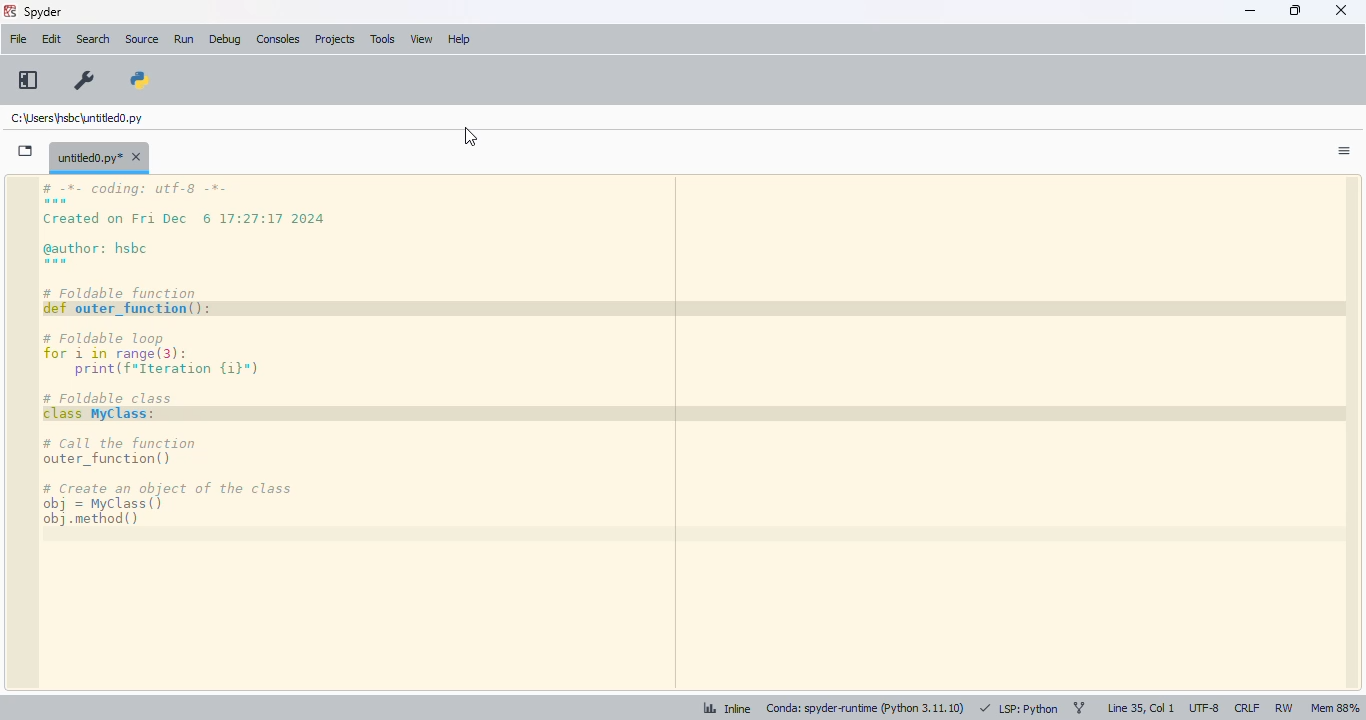 This screenshot has height=720, width=1366. What do you see at coordinates (1296, 10) in the screenshot?
I see `maximize` at bounding box center [1296, 10].